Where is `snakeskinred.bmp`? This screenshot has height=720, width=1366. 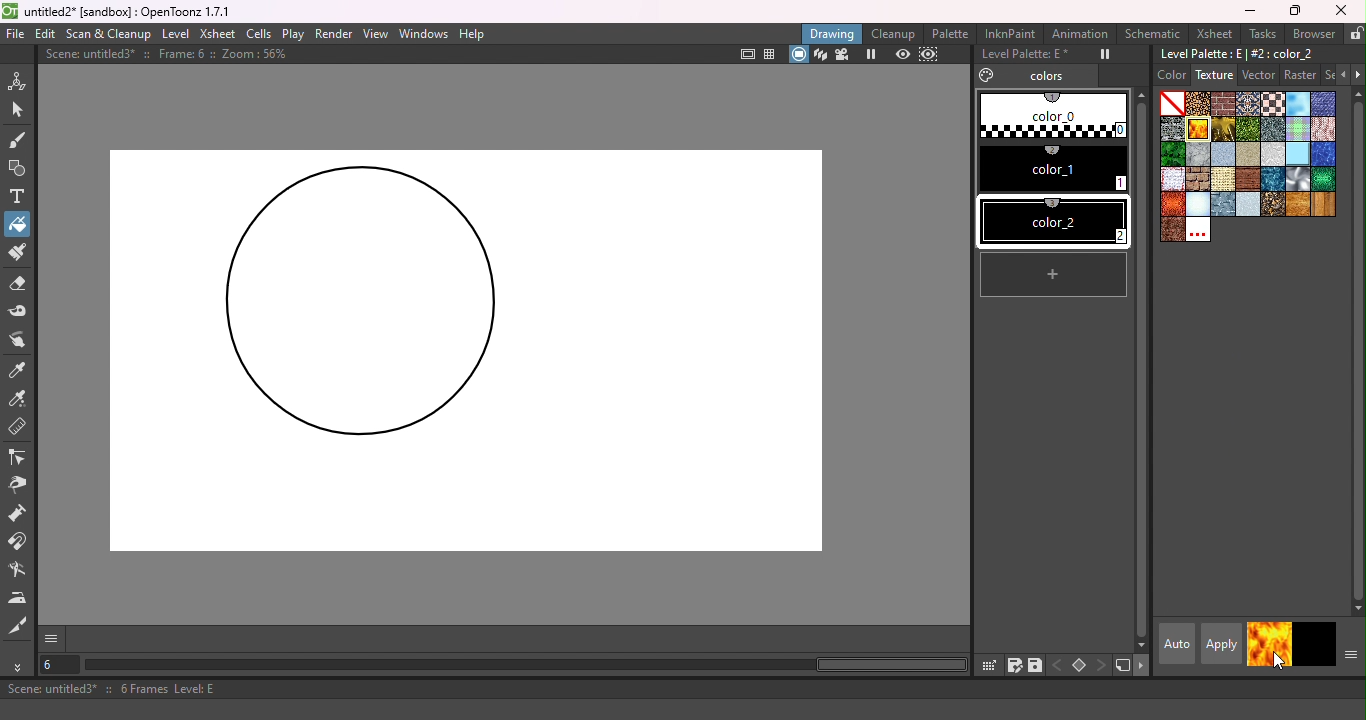
snakeskinred.bmp is located at coordinates (1172, 205).